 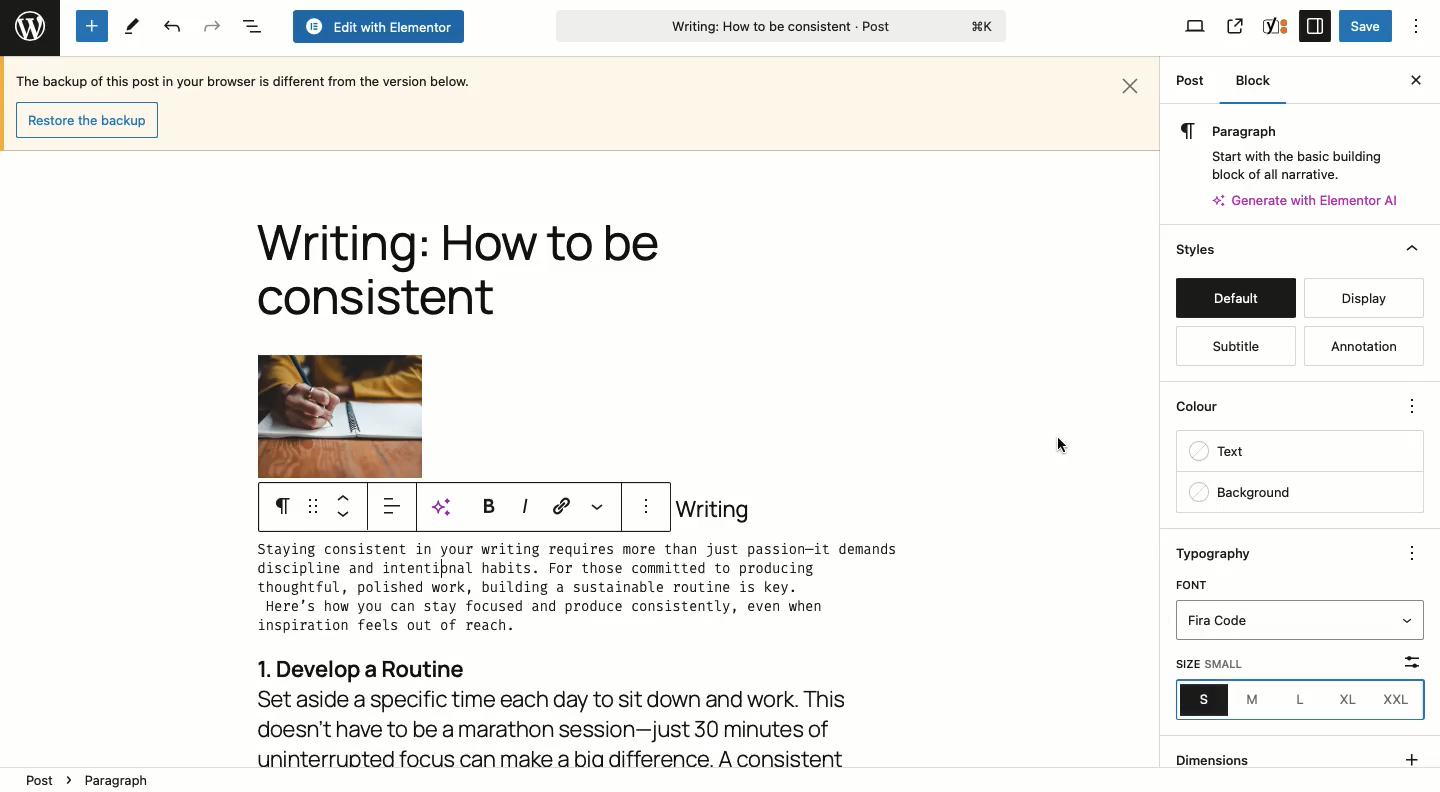 I want to click on Close, so click(x=1132, y=83).